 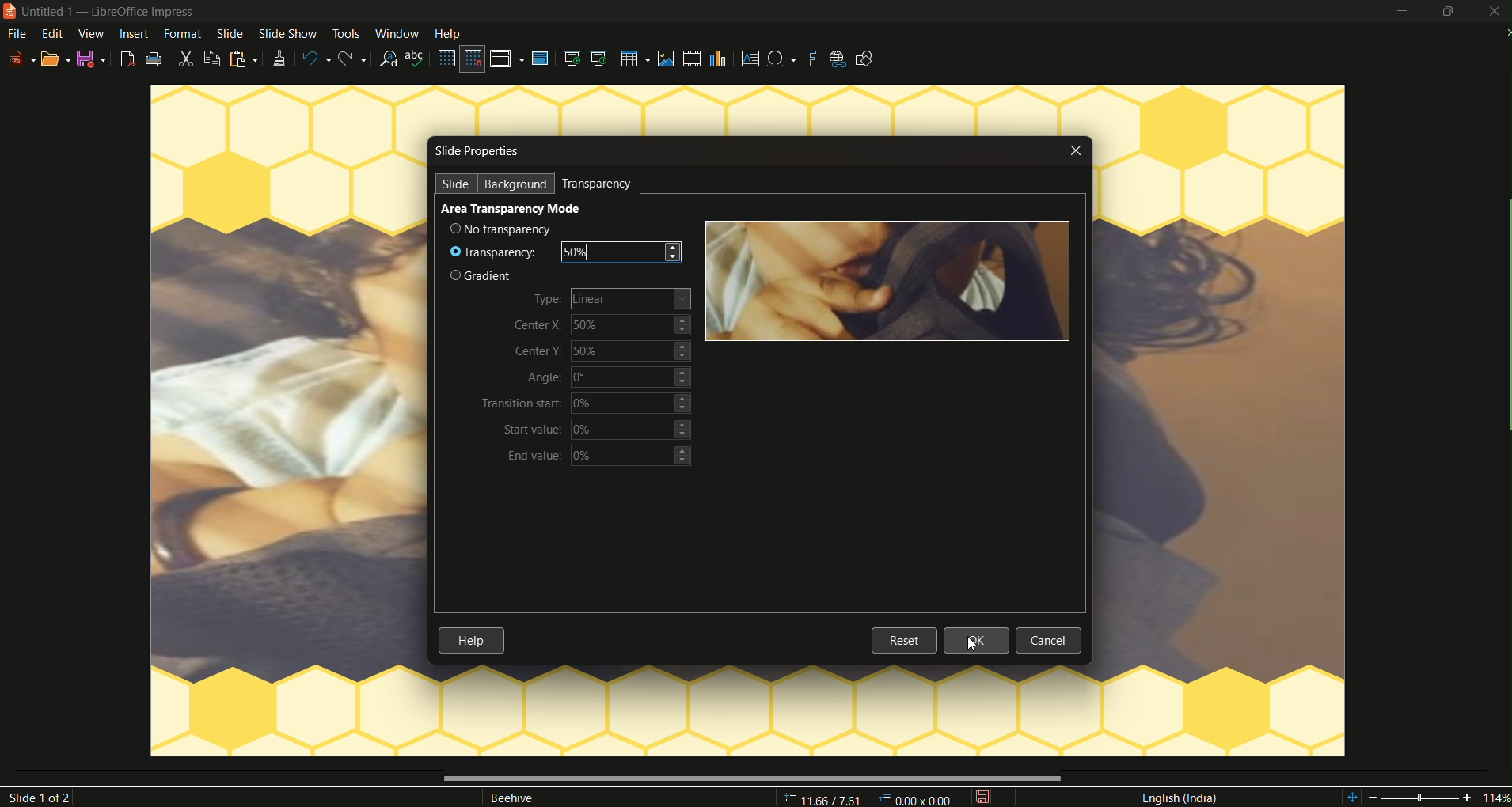 What do you see at coordinates (518, 184) in the screenshot?
I see `background` at bounding box center [518, 184].